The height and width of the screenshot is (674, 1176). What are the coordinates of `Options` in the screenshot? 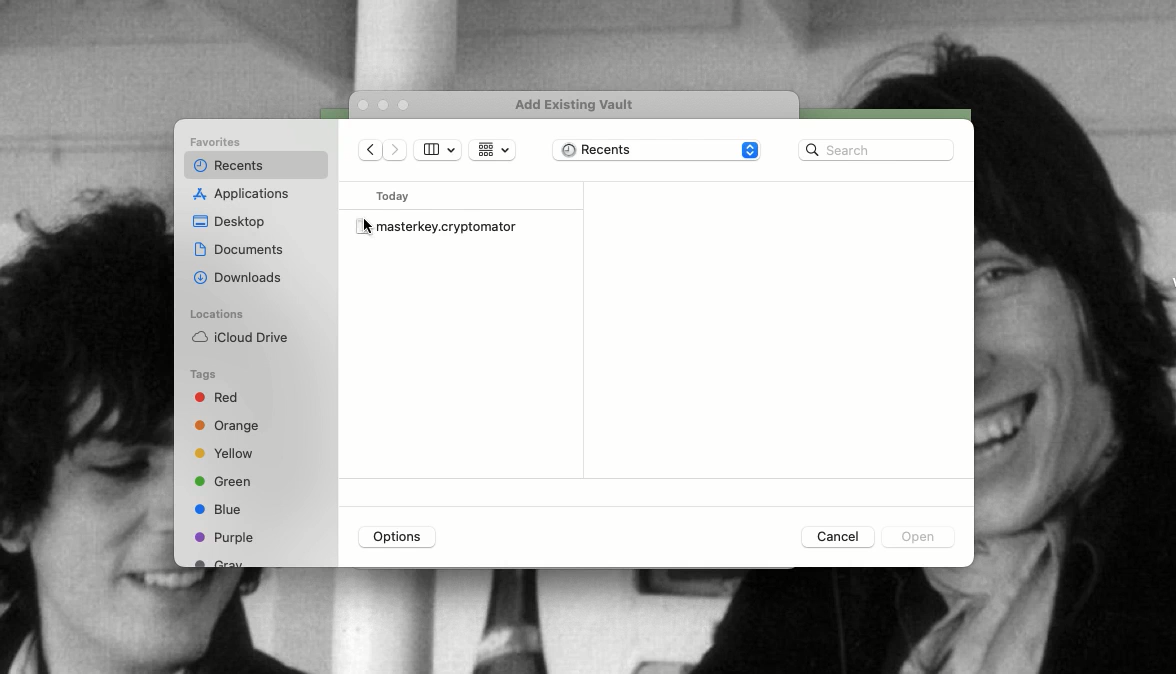 It's located at (398, 537).